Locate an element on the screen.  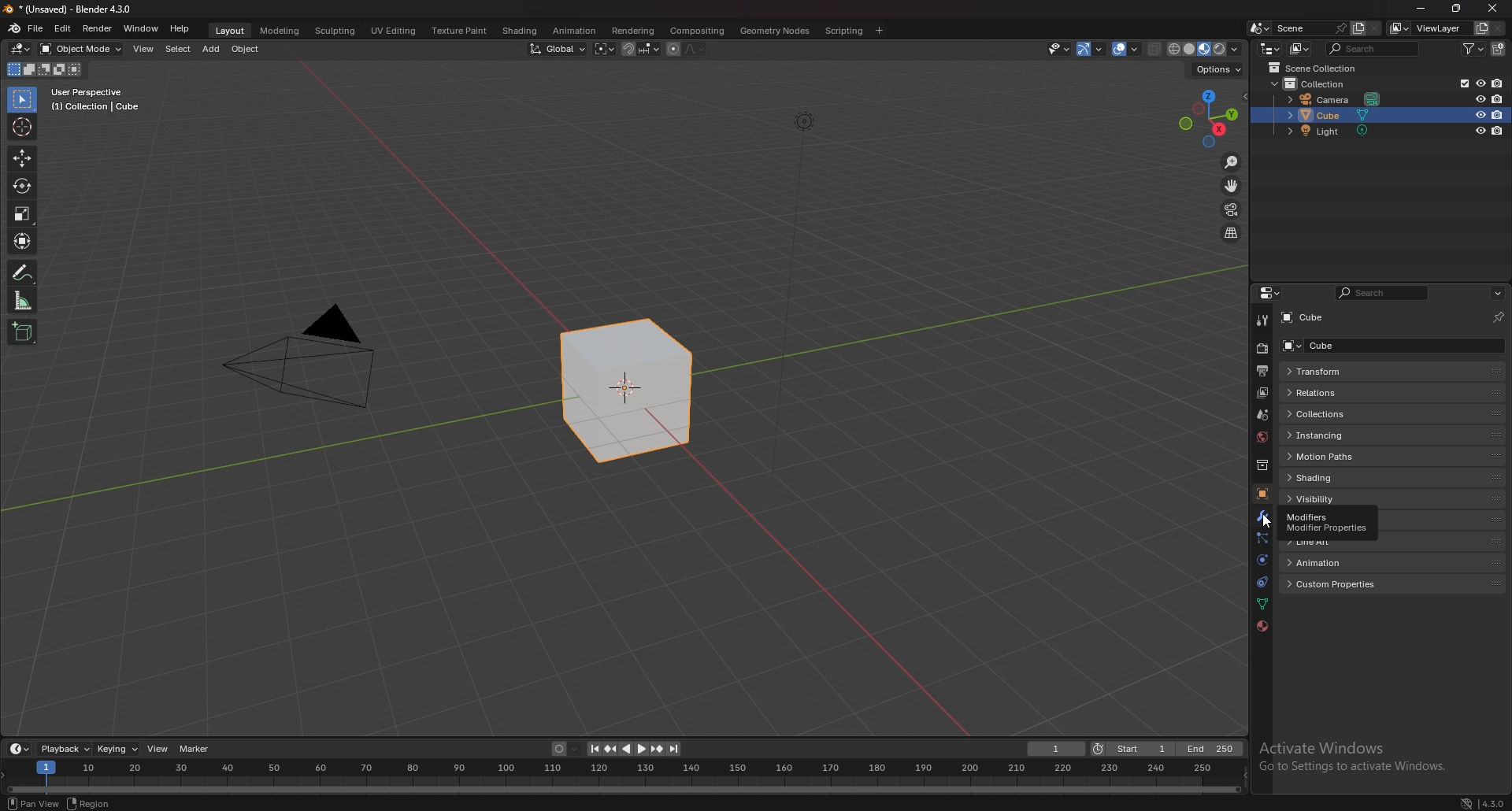
layout is located at coordinates (231, 30).